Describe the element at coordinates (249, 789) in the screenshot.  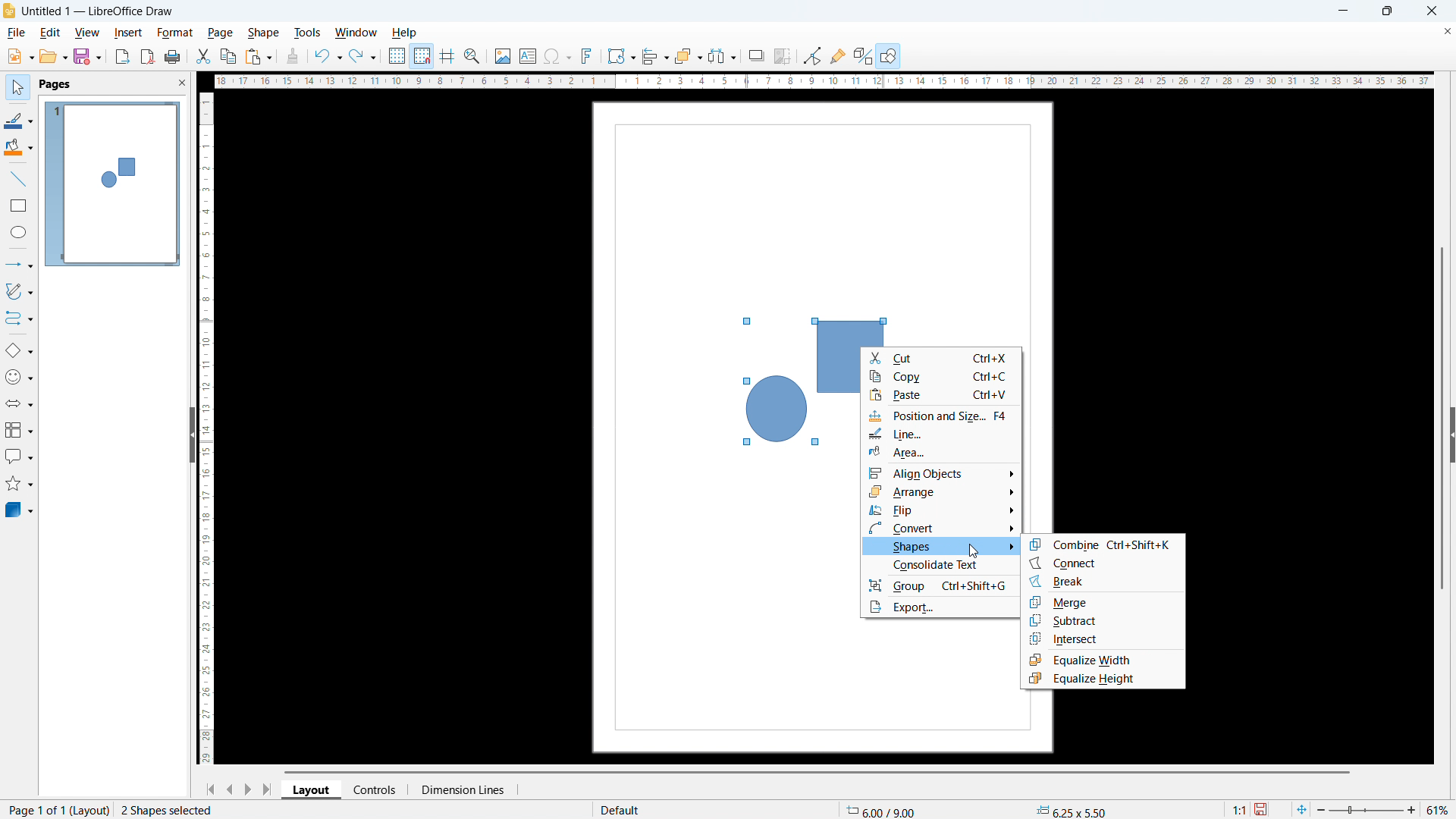
I see `next page` at that location.